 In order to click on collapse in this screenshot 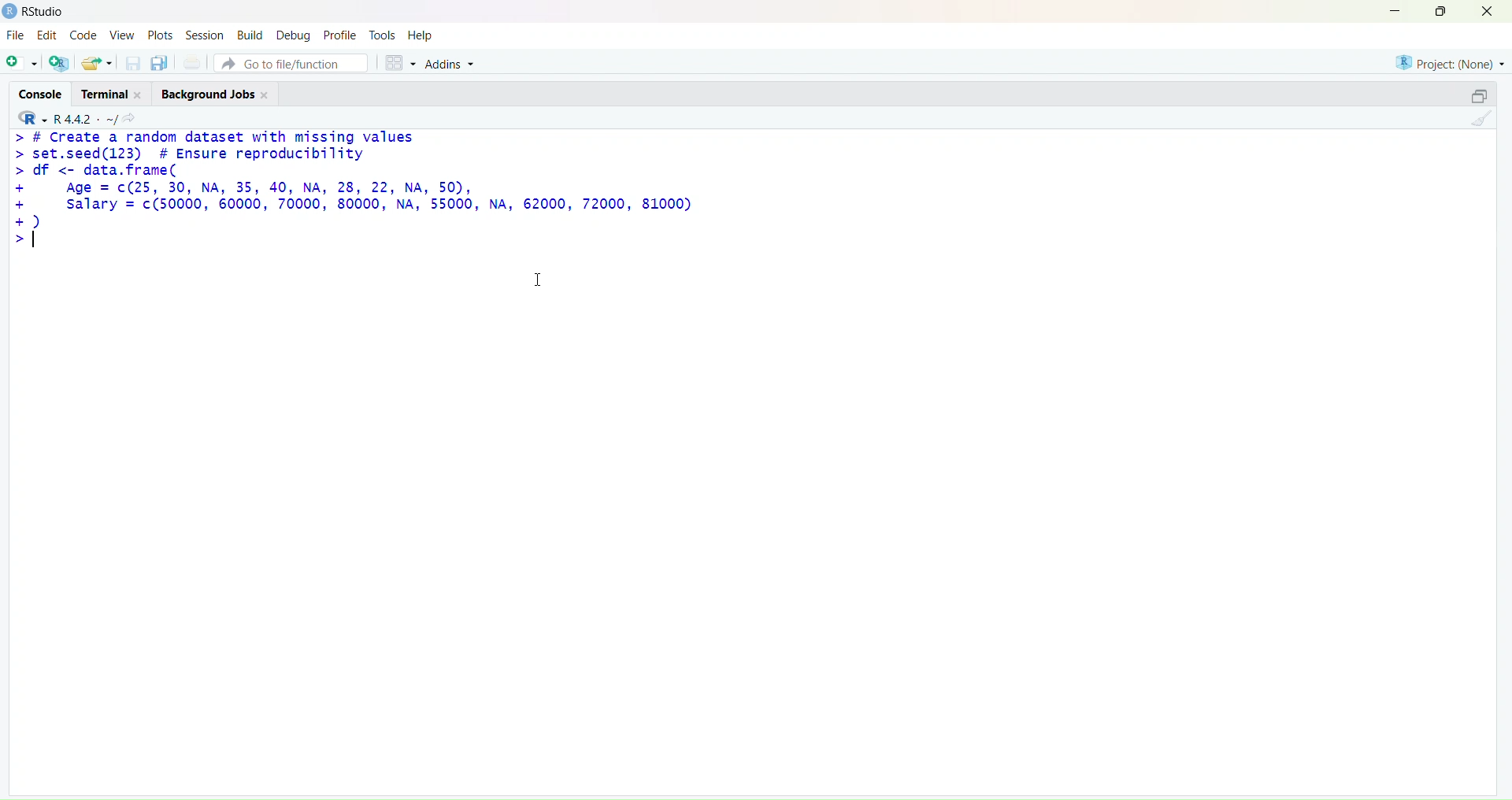, I will do `click(1481, 95)`.